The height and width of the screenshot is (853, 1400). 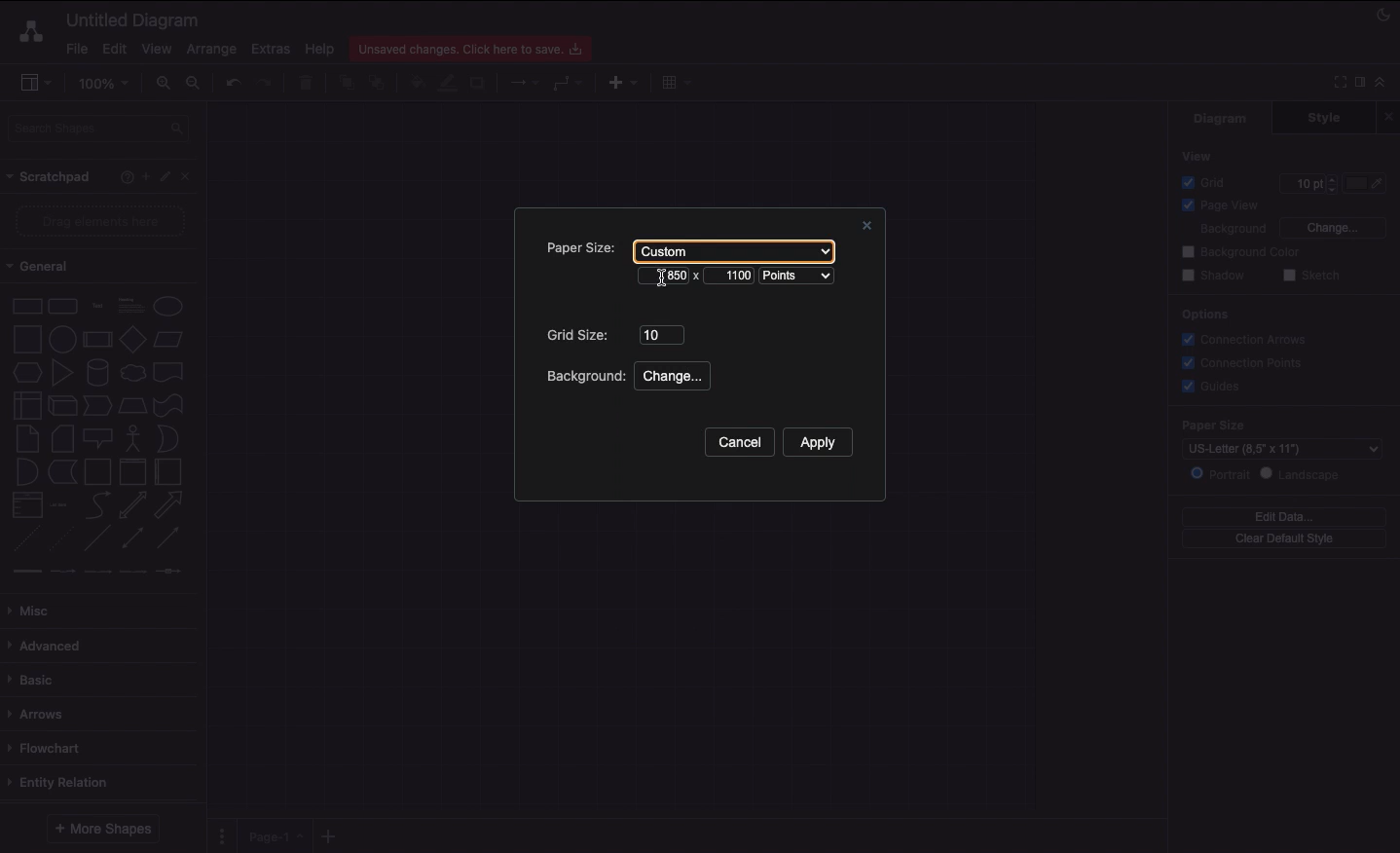 What do you see at coordinates (473, 46) in the screenshot?
I see `Unsaved changes` at bounding box center [473, 46].